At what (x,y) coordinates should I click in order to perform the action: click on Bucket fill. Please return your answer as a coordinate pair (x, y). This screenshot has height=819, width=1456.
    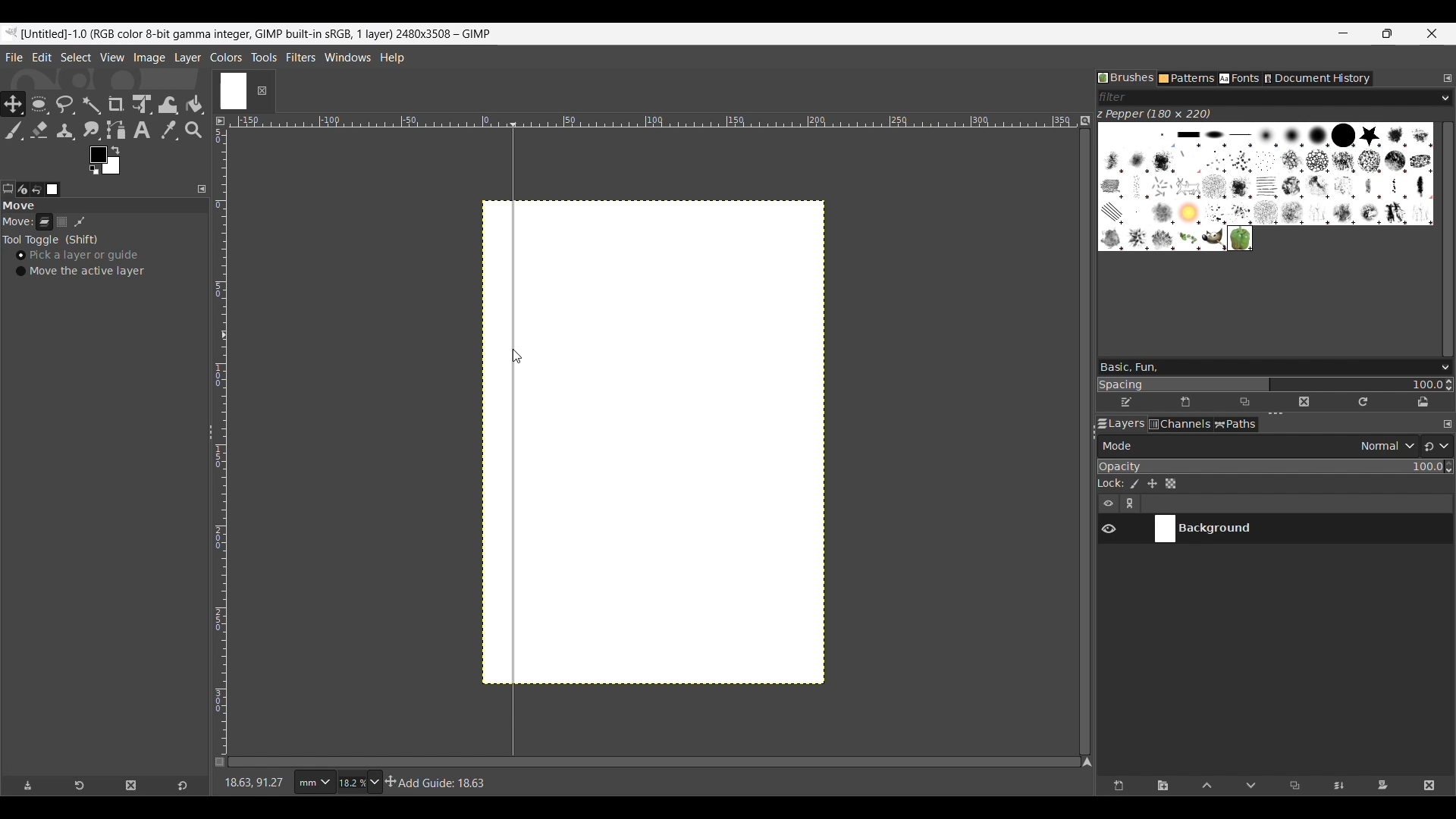
    Looking at the image, I should click on (195, 105).